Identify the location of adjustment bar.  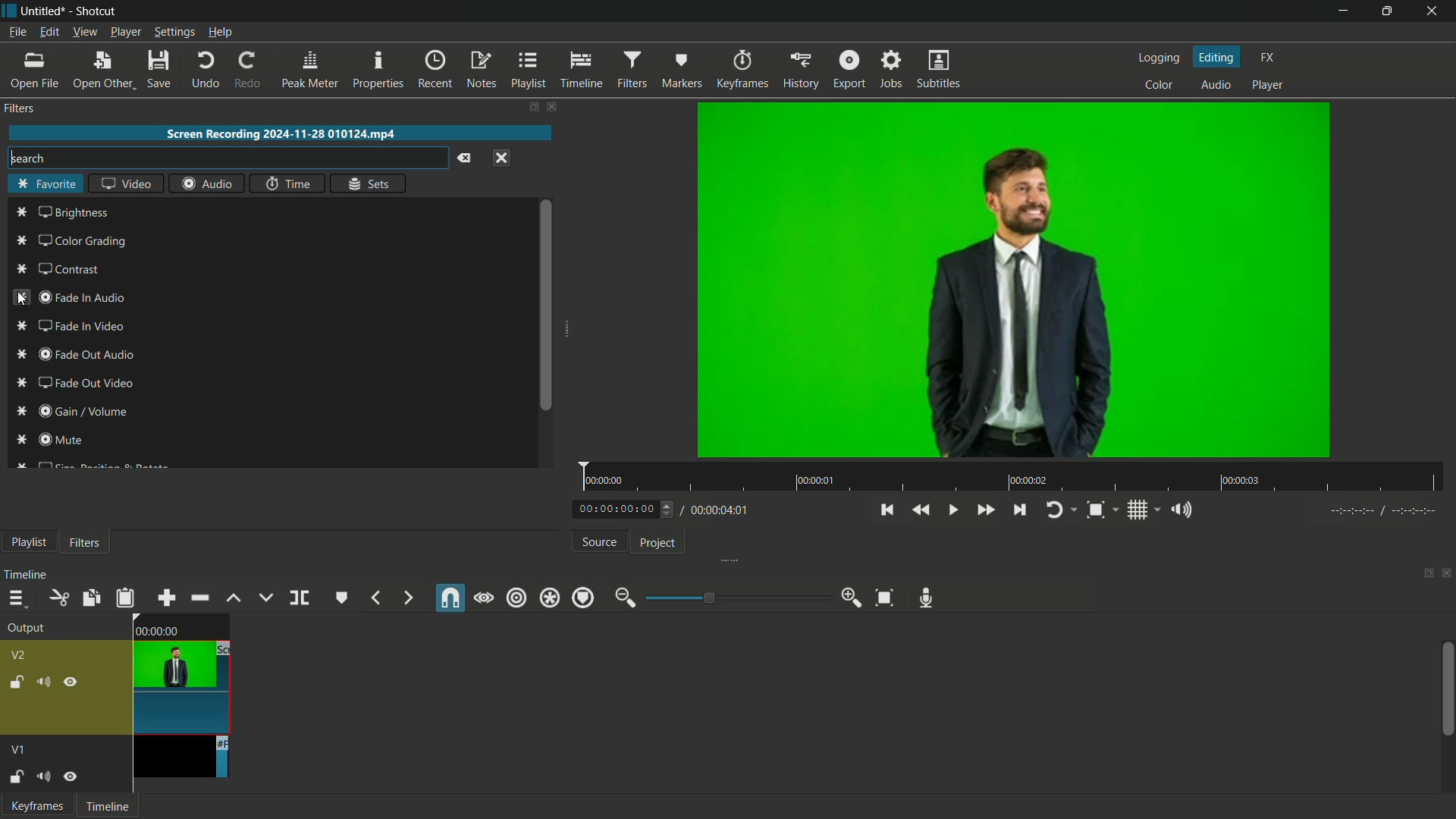
(736, 597).